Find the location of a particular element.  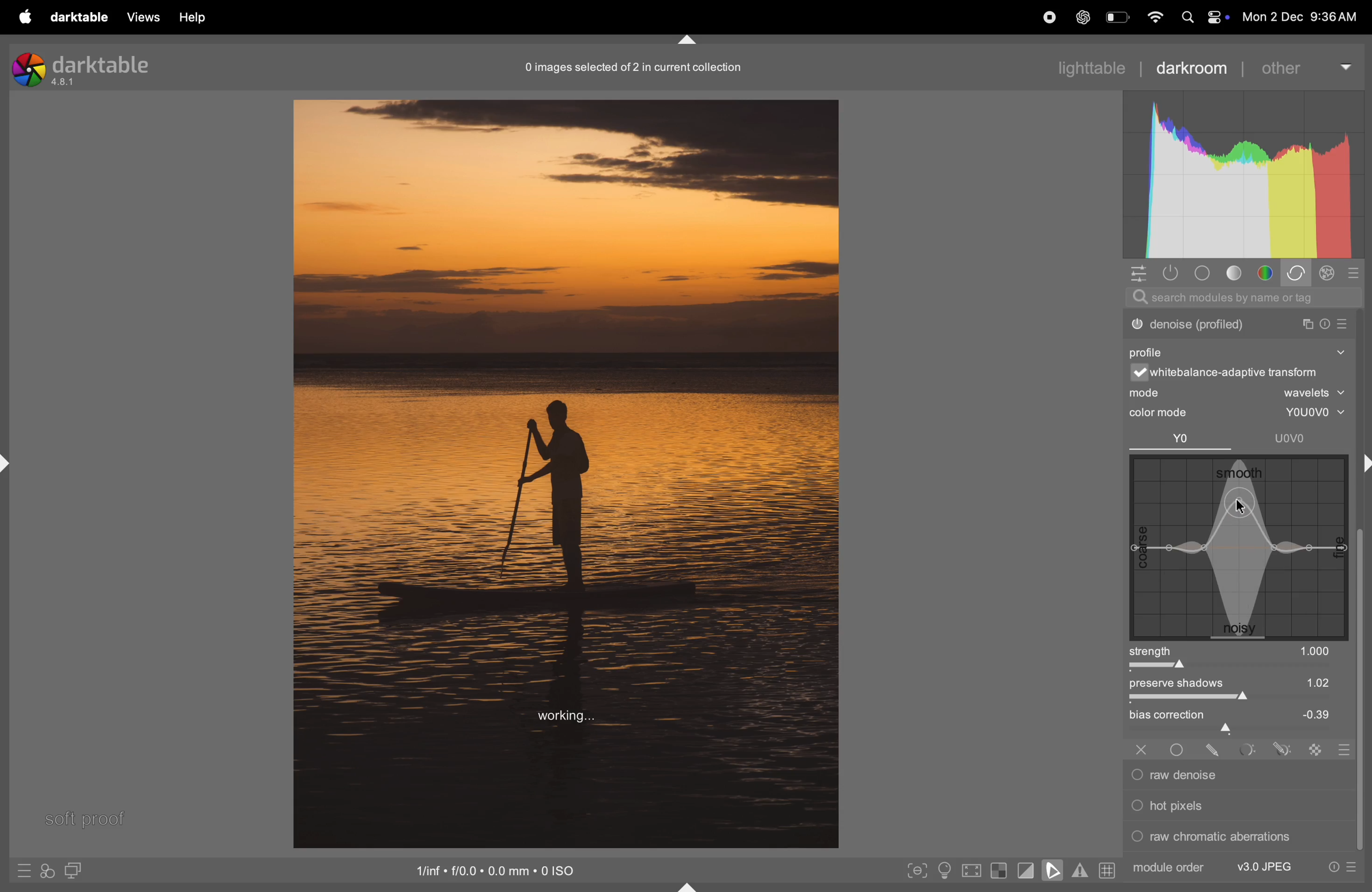

toggle gamut checking is located at coordinates (1079, 872).